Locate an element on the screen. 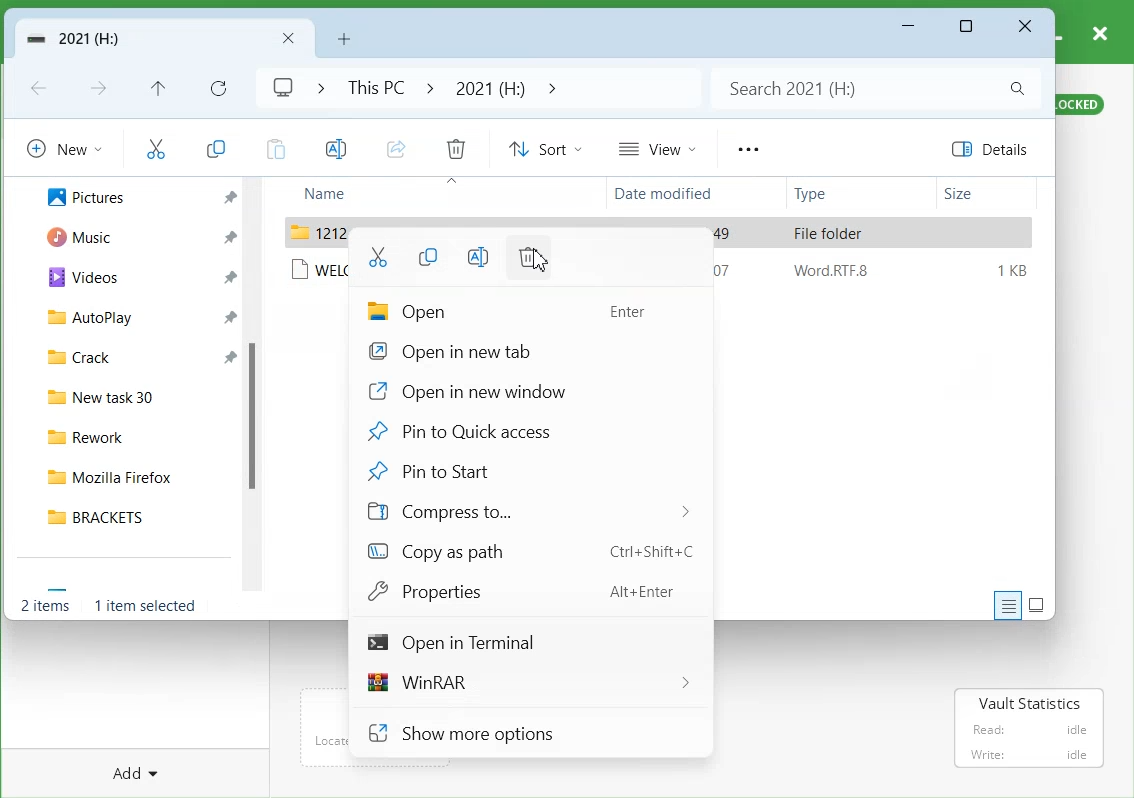 This screenshot has width=1134, height=798. Rework is located at coordinates (136, 437).